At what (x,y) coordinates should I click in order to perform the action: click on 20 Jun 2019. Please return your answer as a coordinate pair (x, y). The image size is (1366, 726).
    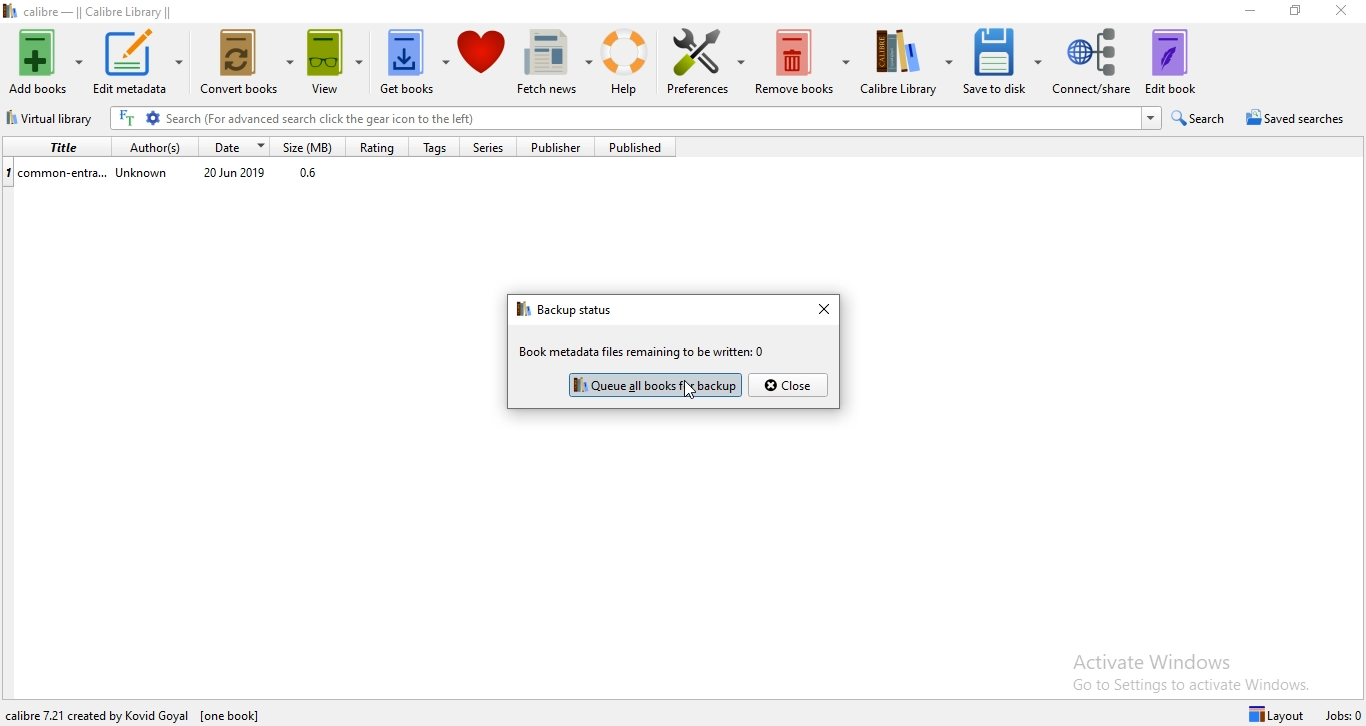
    Looking at the image, I should click on (236, 174).